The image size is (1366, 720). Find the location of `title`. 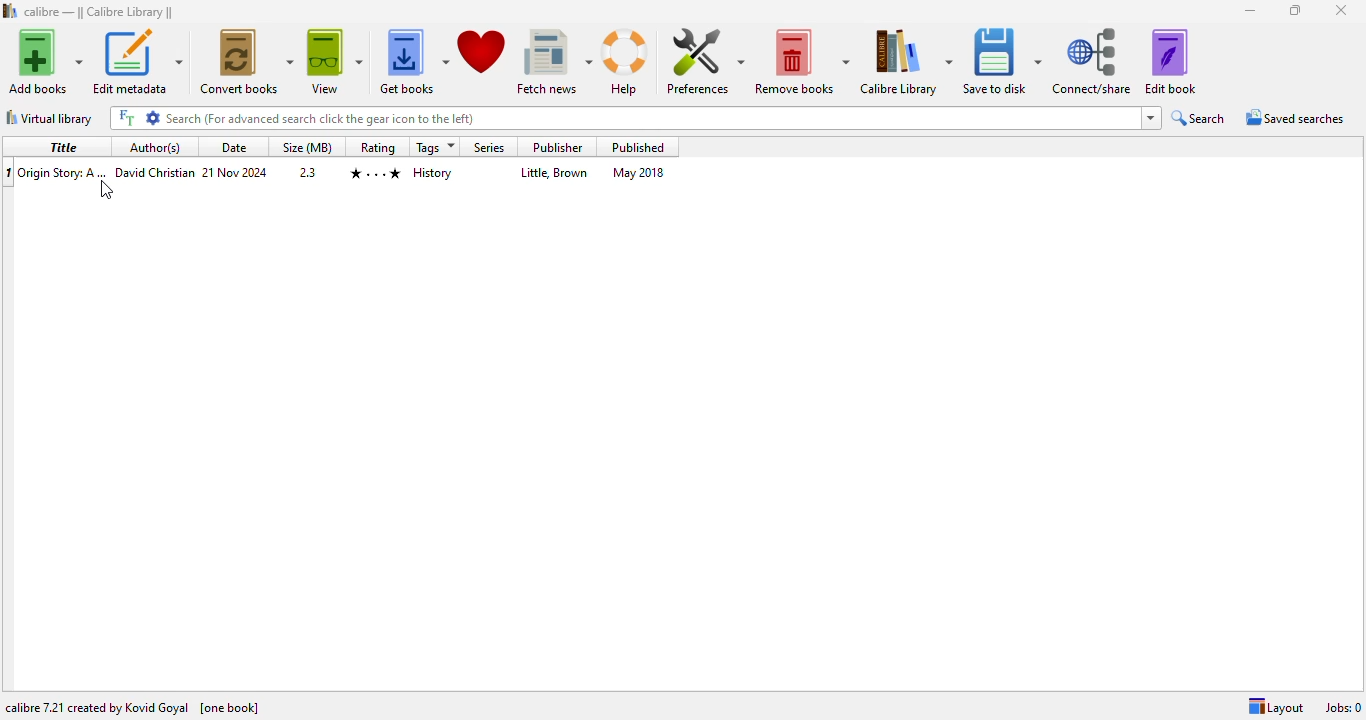

title is located at coordinates (64, 147).